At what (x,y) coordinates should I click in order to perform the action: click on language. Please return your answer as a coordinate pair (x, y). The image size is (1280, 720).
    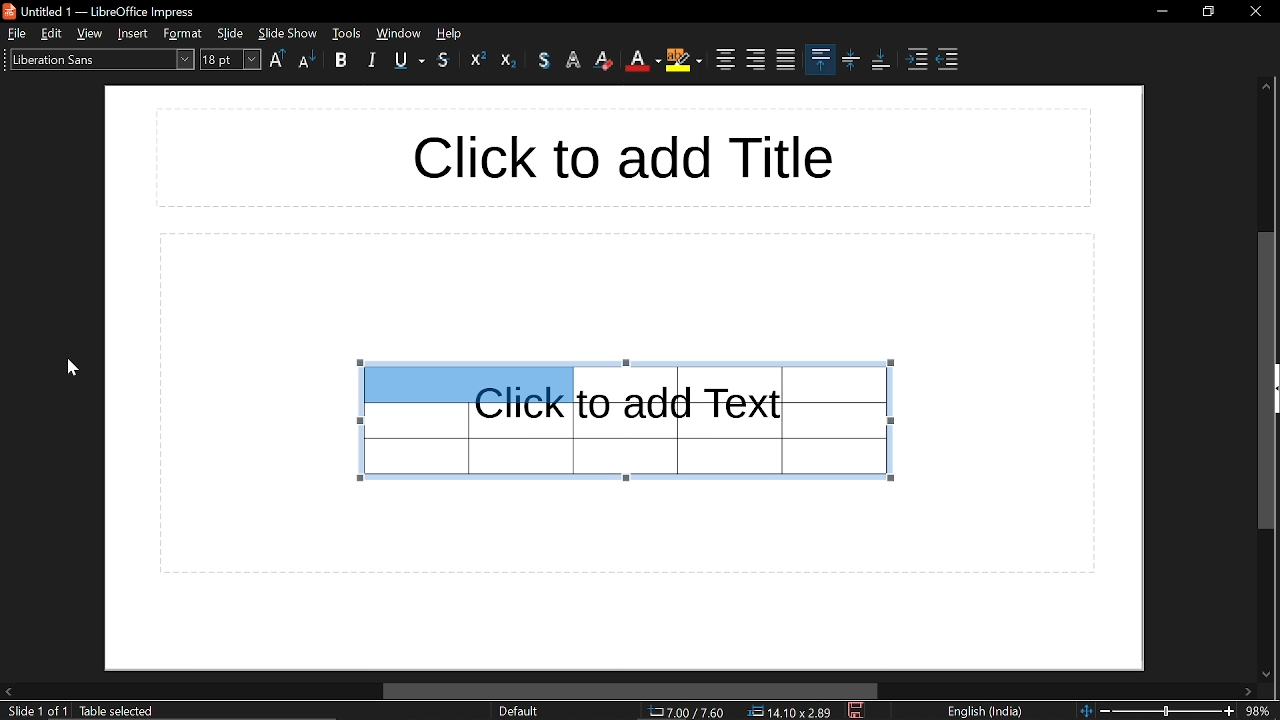
    Looking at the image, I should click on (990, 712).